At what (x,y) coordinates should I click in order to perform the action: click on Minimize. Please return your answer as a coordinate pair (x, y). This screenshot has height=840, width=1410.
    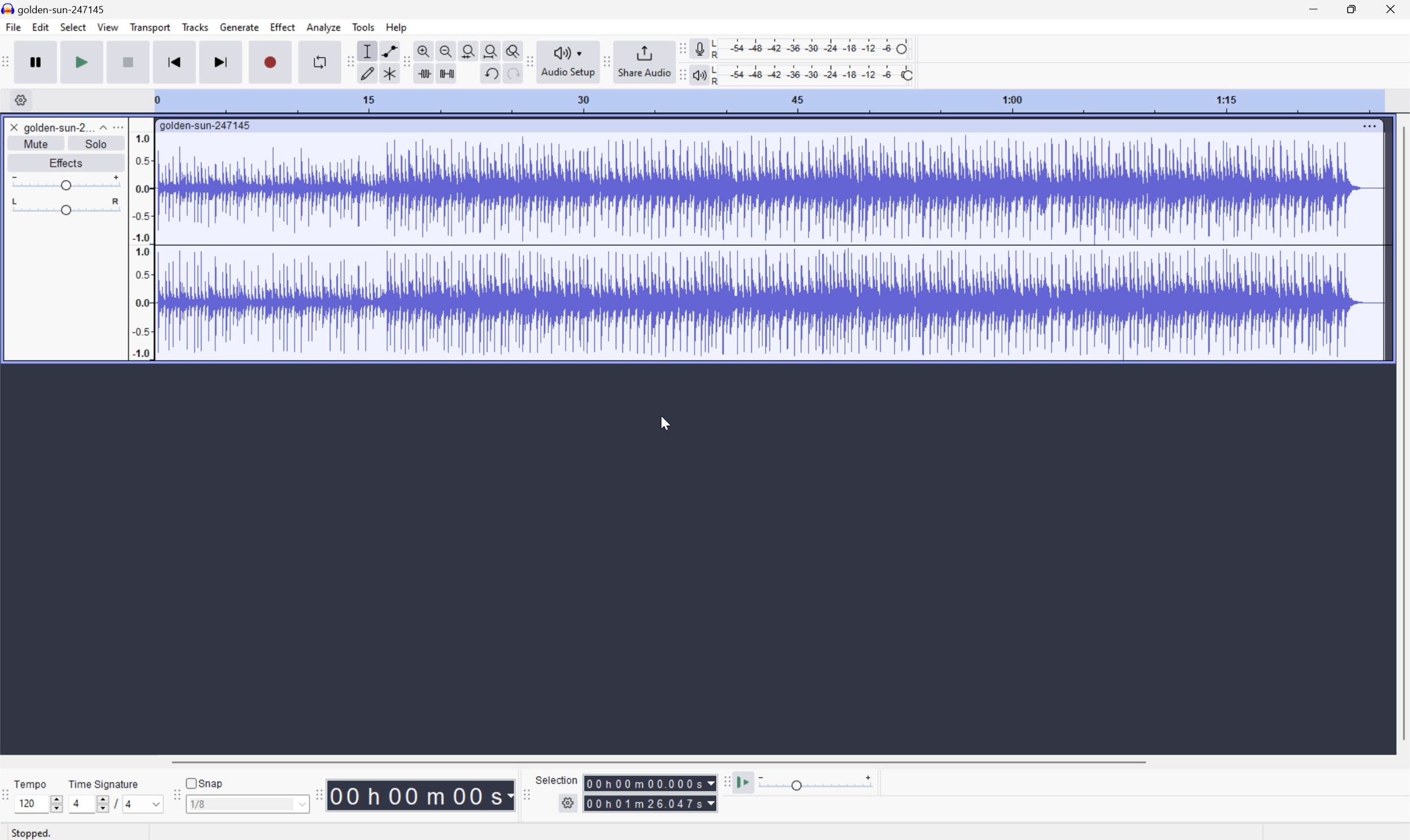
    Looking at the image, I should click on (1313, 8).